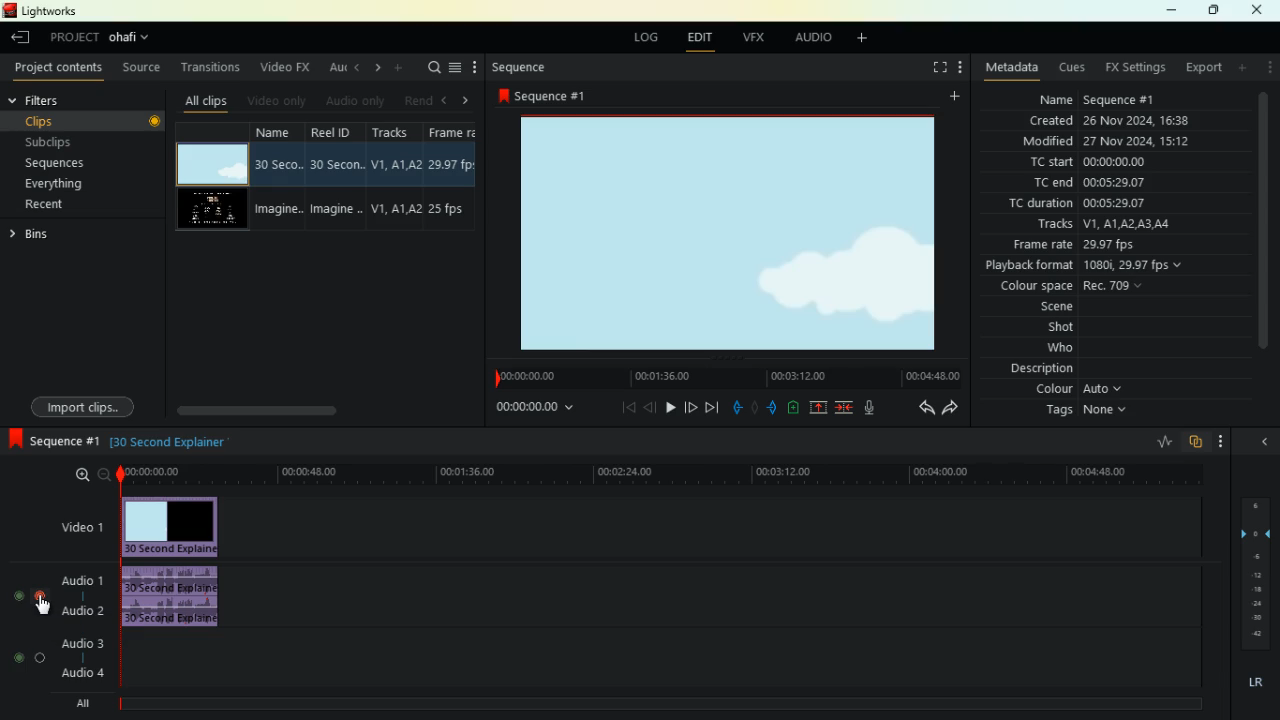 Image resolution: width=1280 pixels, height=720 pixels. What do you see at coordinates (1081, 412) in the screenshot?
I see `tags` at bounding box center [1081, 412].